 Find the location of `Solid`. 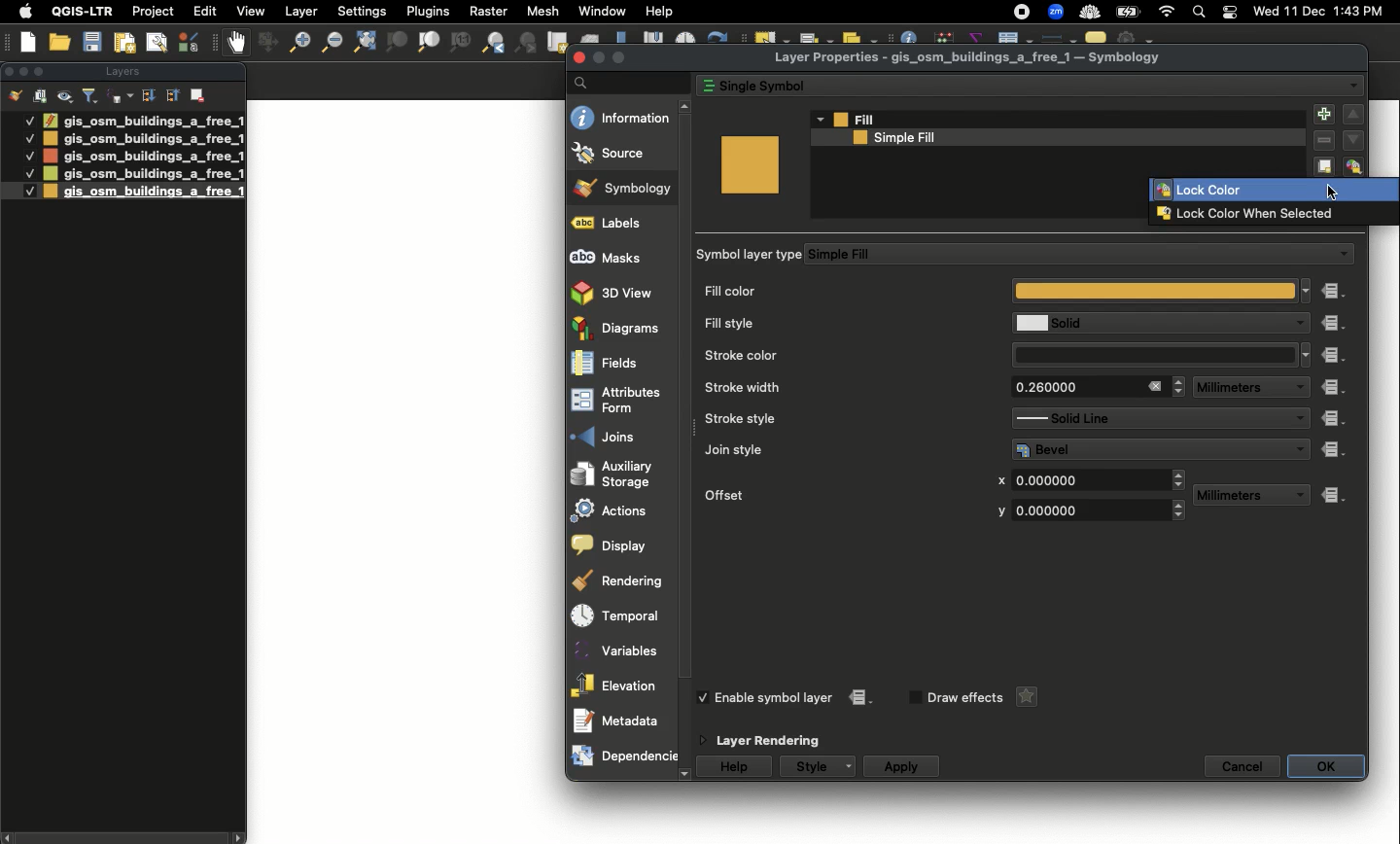

Solid is located at coordinates (1144, 323).